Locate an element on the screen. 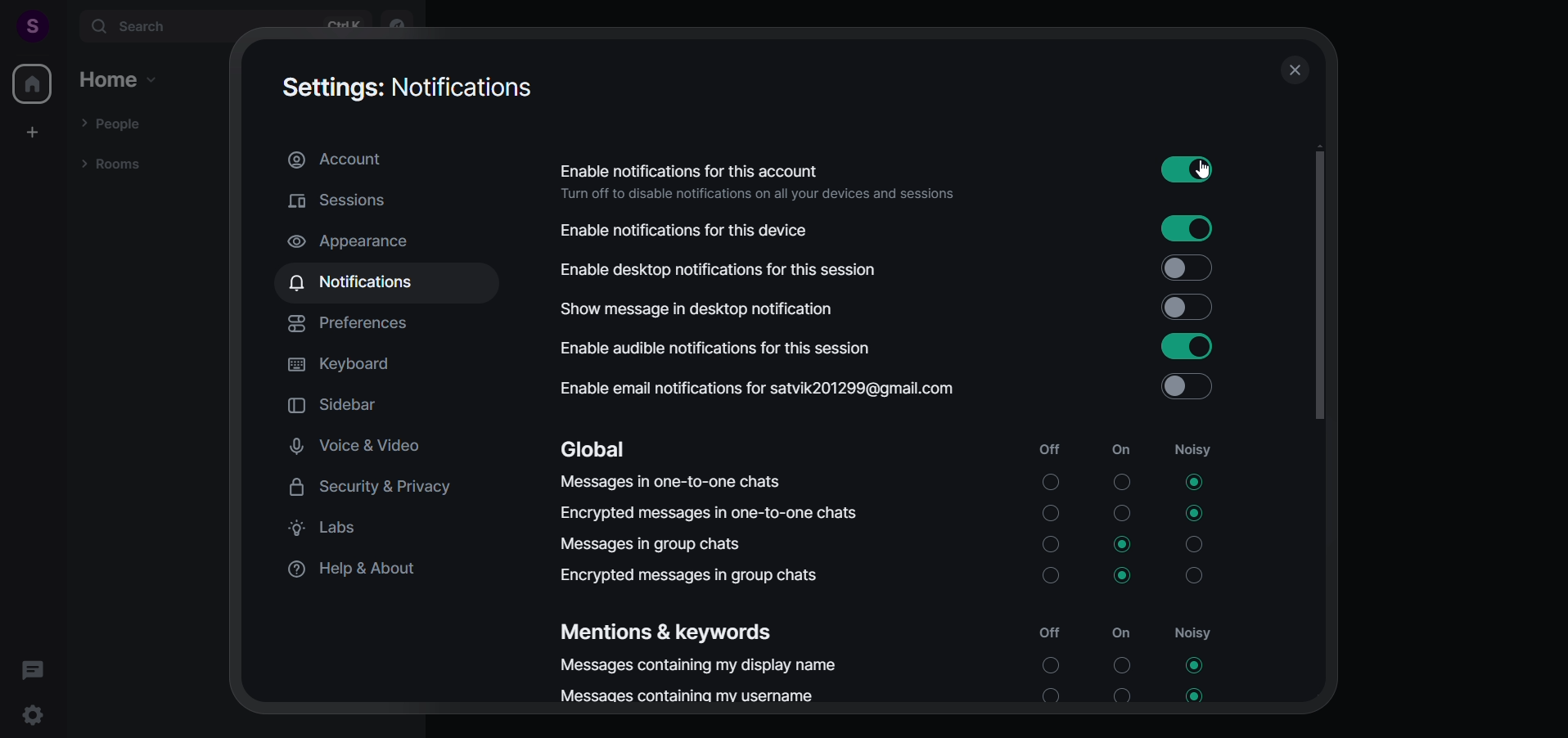 This screenshot has width=1568, height=738. people is located at coordinates (115, 122).